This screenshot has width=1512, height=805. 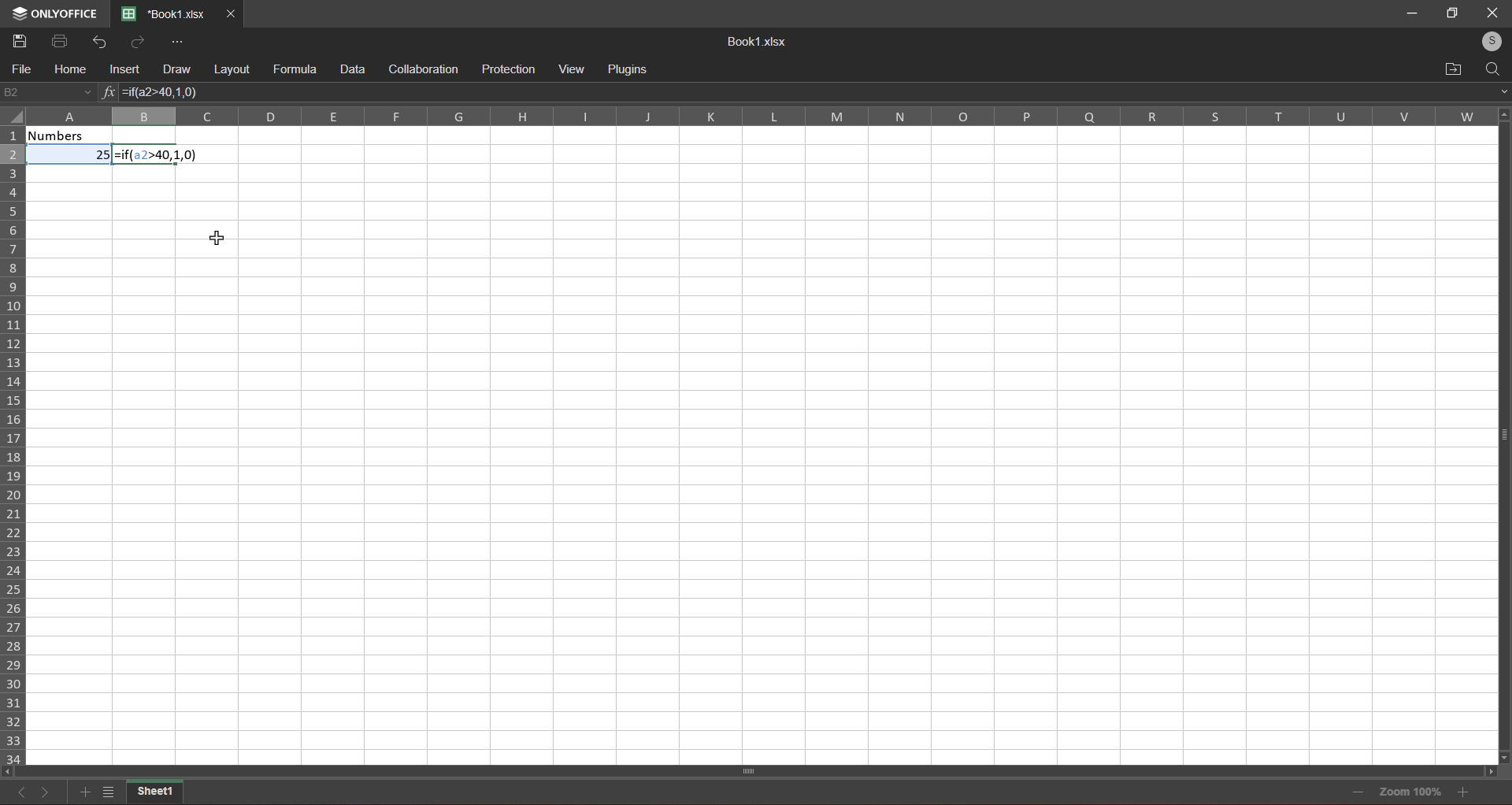 What do you see at coordinates (1413, 14) in the screenshot?
I see `minimize` at bounding box center [1413, 14].